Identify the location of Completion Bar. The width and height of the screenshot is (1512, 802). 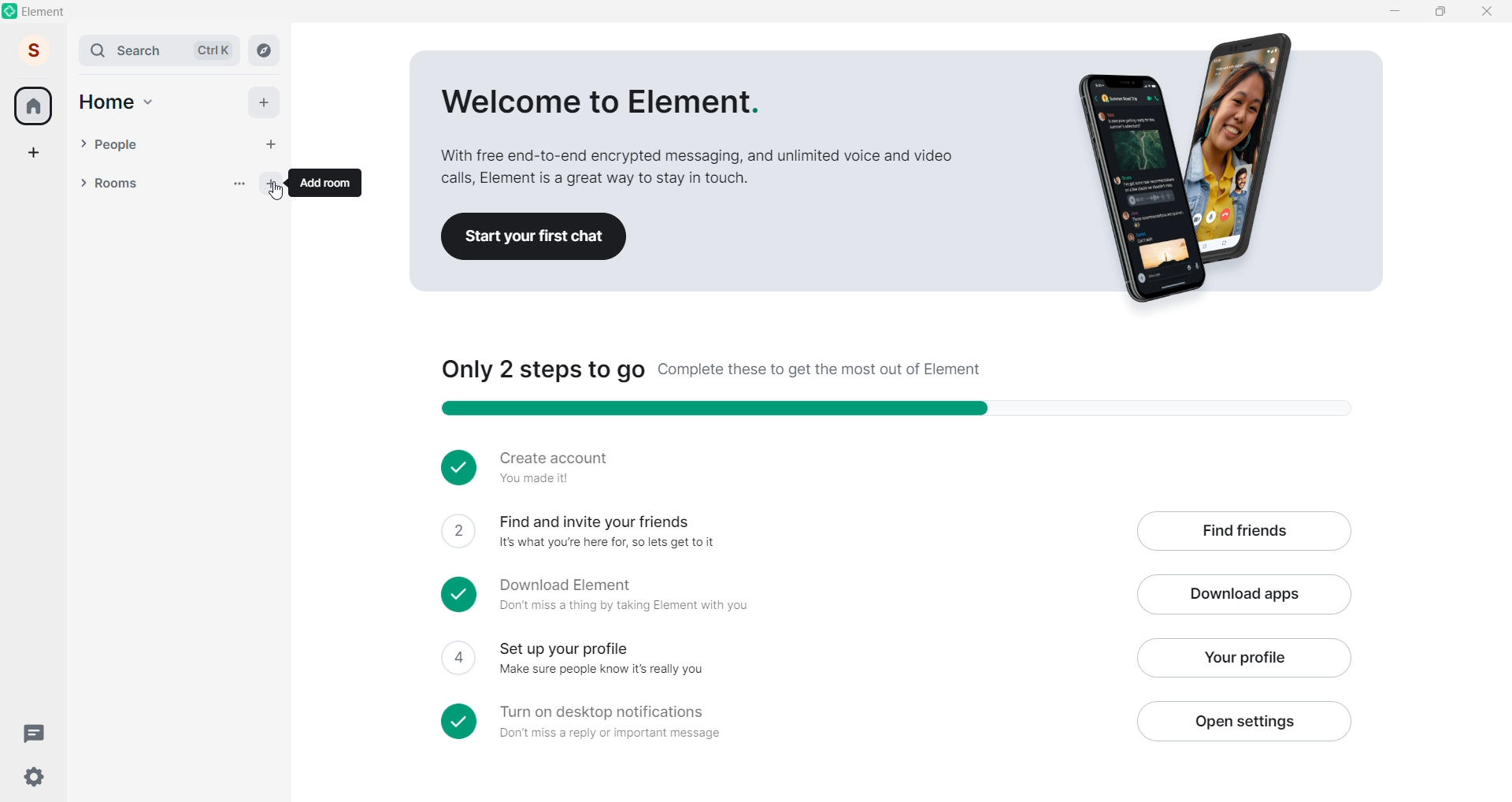
(911, 409).